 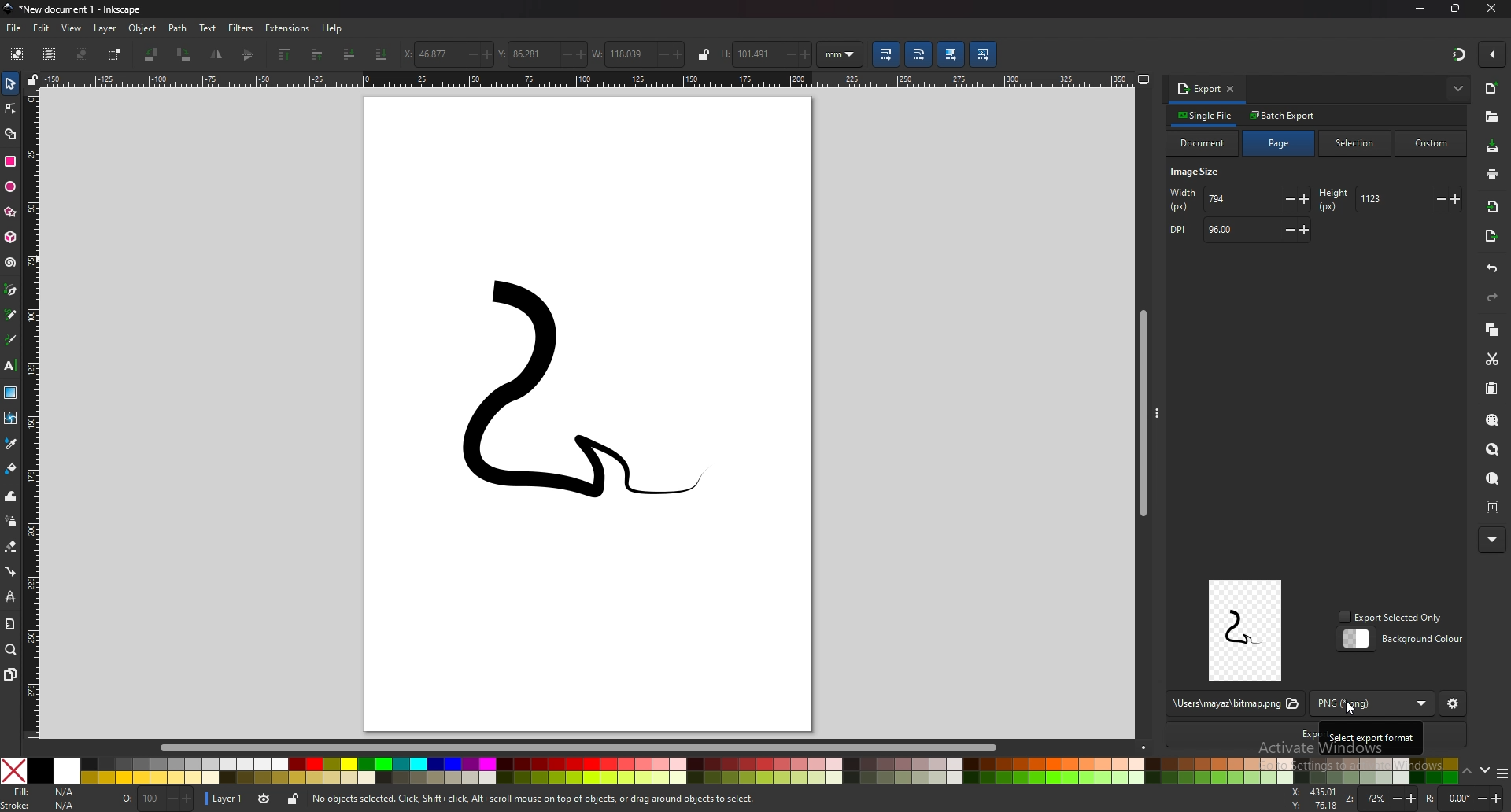 What do you see at coordinates (1490, 9) in the screenshot?
I see `close` at bounding box center [1490, 9].